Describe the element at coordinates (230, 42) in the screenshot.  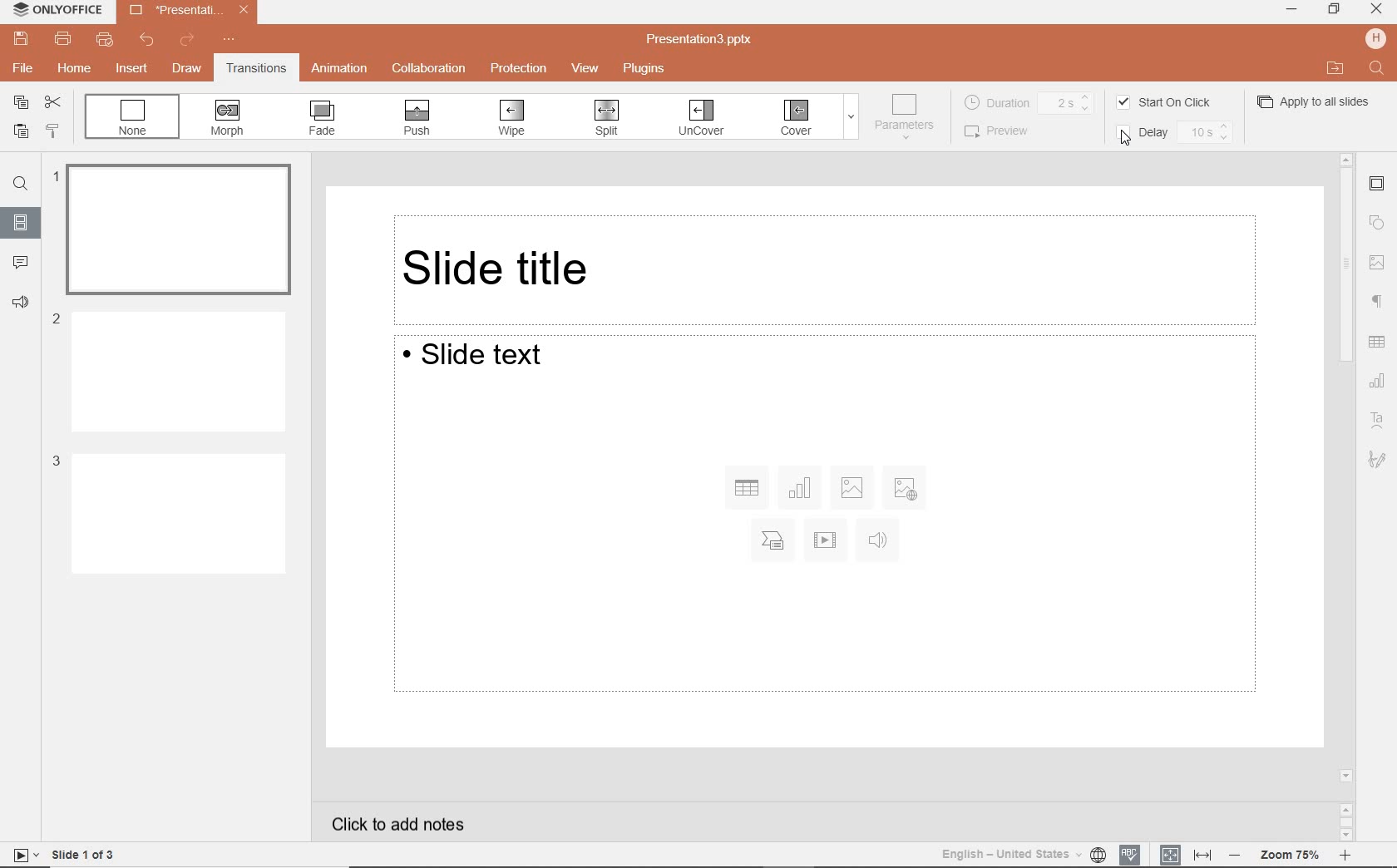
I see `customize quick access toolbar` at that location.